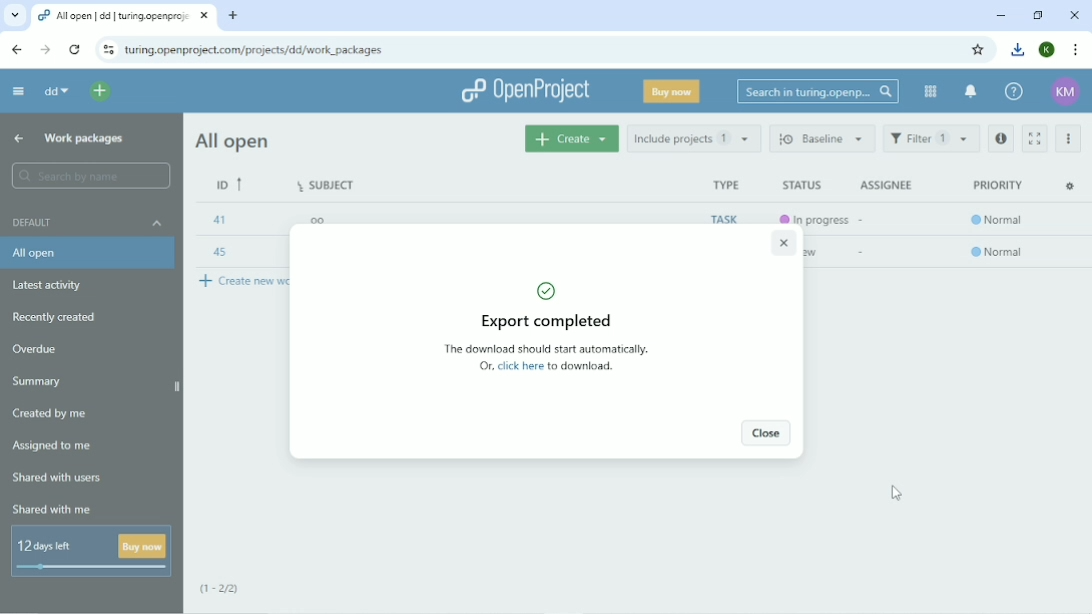 Image resolution: width=1092 pixels, height=614 pixels. What do you see at coordinates (51, 414) in the screenshot?
I see `Created by me` at bounding box center [51, 414].